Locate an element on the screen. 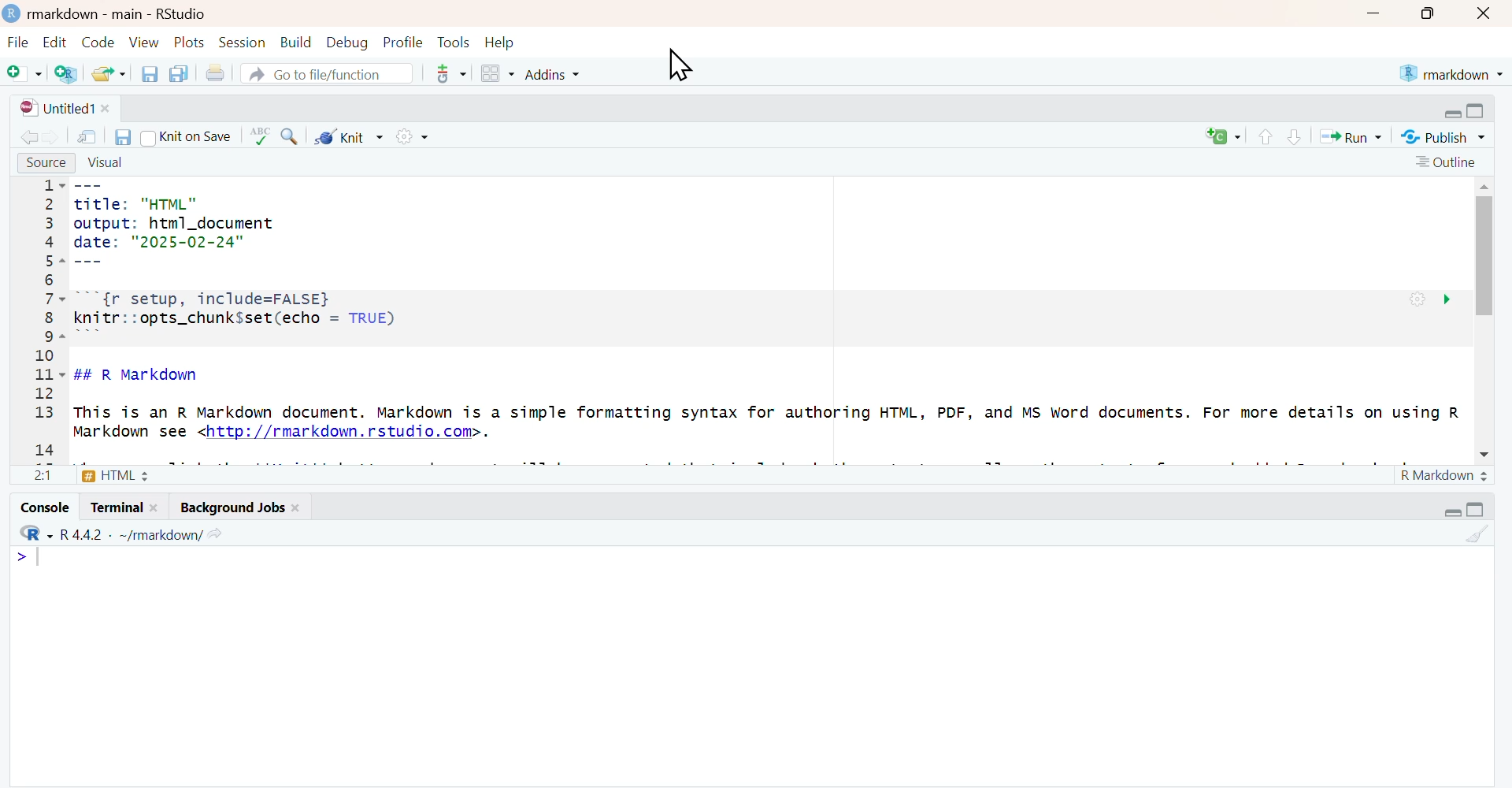 The image size is (1512, 788). run current line/function is located at coordinates (1354, 136).